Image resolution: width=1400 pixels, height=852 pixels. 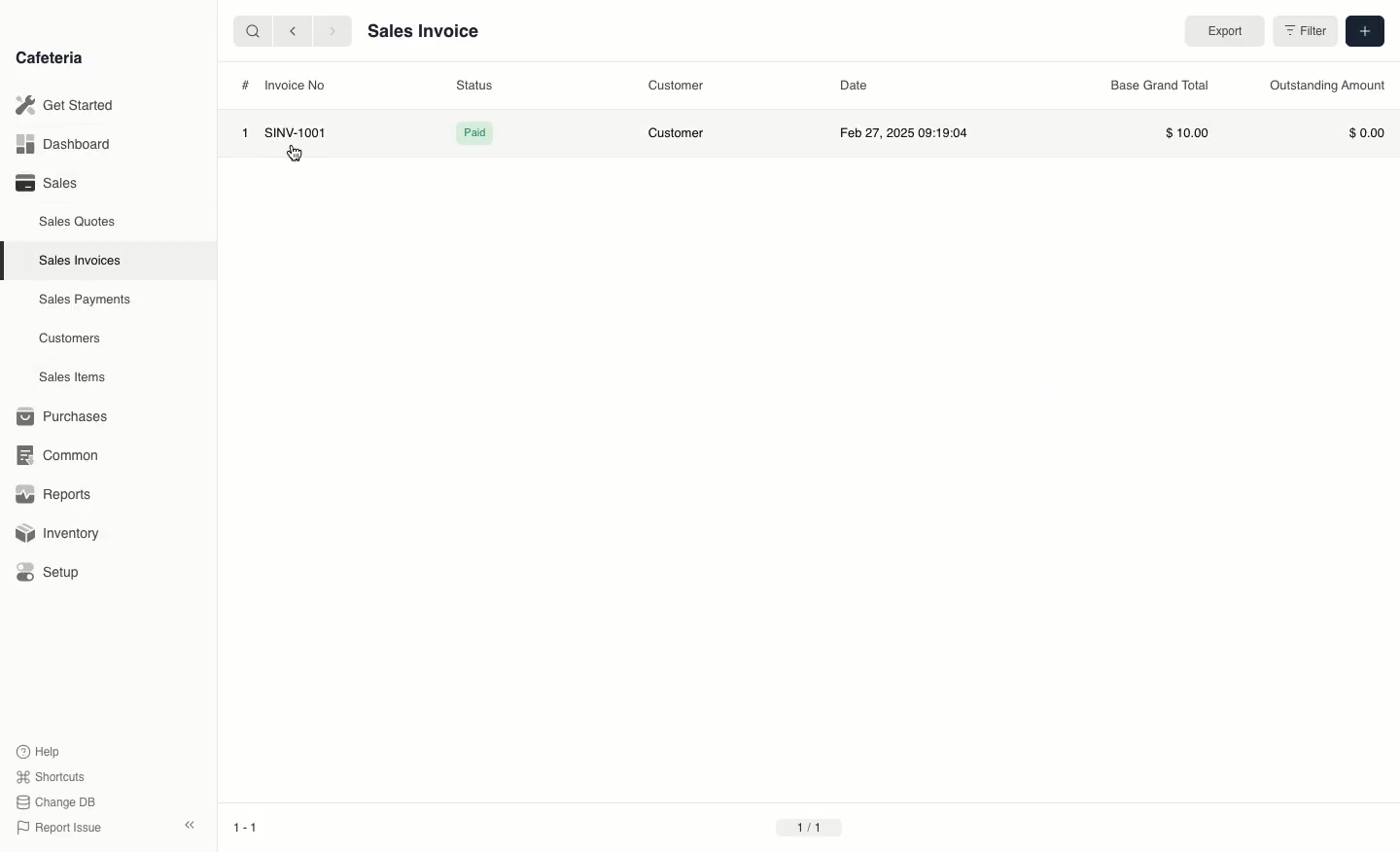 I want to click on Sales, so click(x=50, y=183).